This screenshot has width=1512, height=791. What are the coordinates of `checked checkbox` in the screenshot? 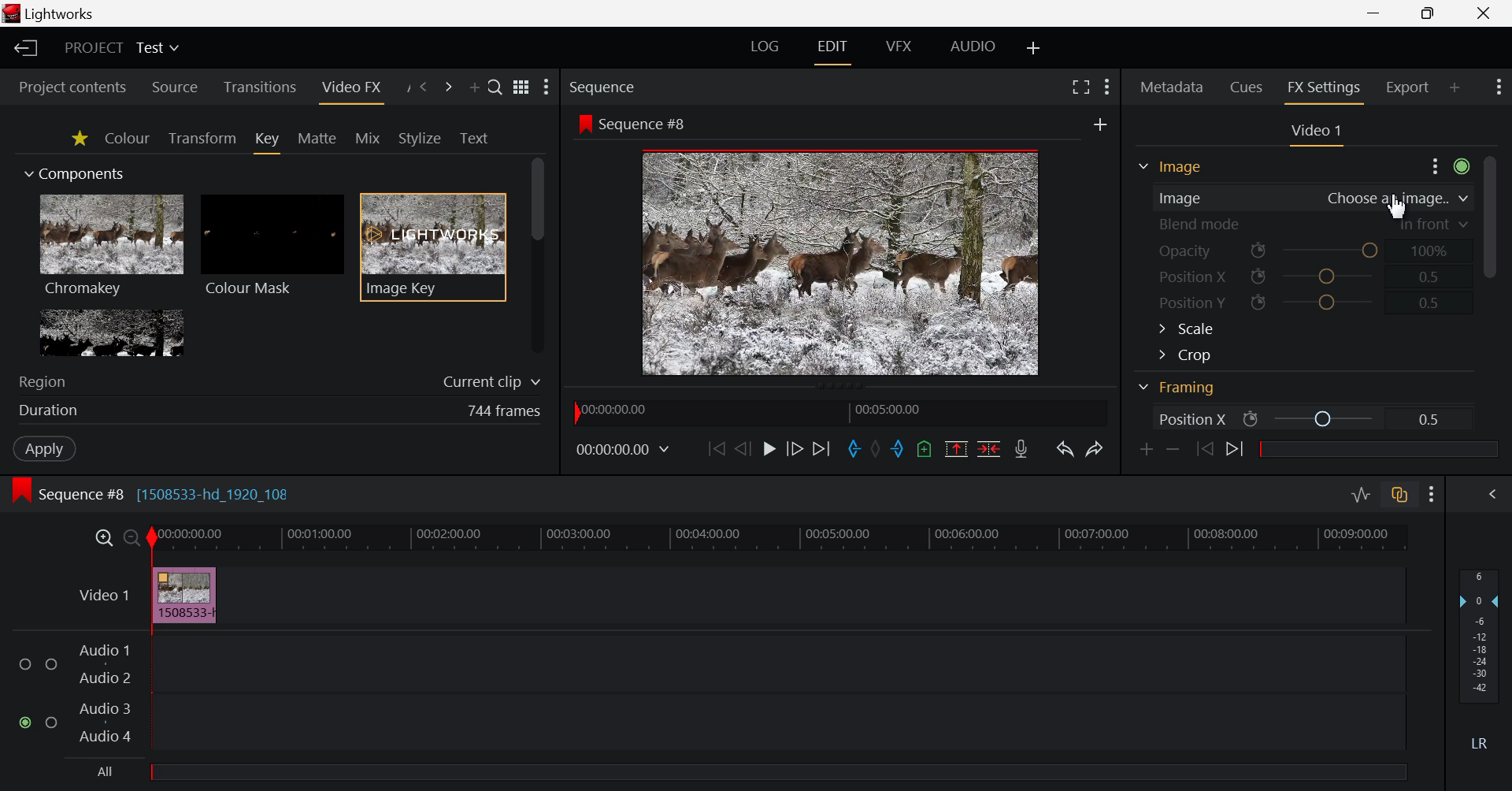 It's located at (25, 721).